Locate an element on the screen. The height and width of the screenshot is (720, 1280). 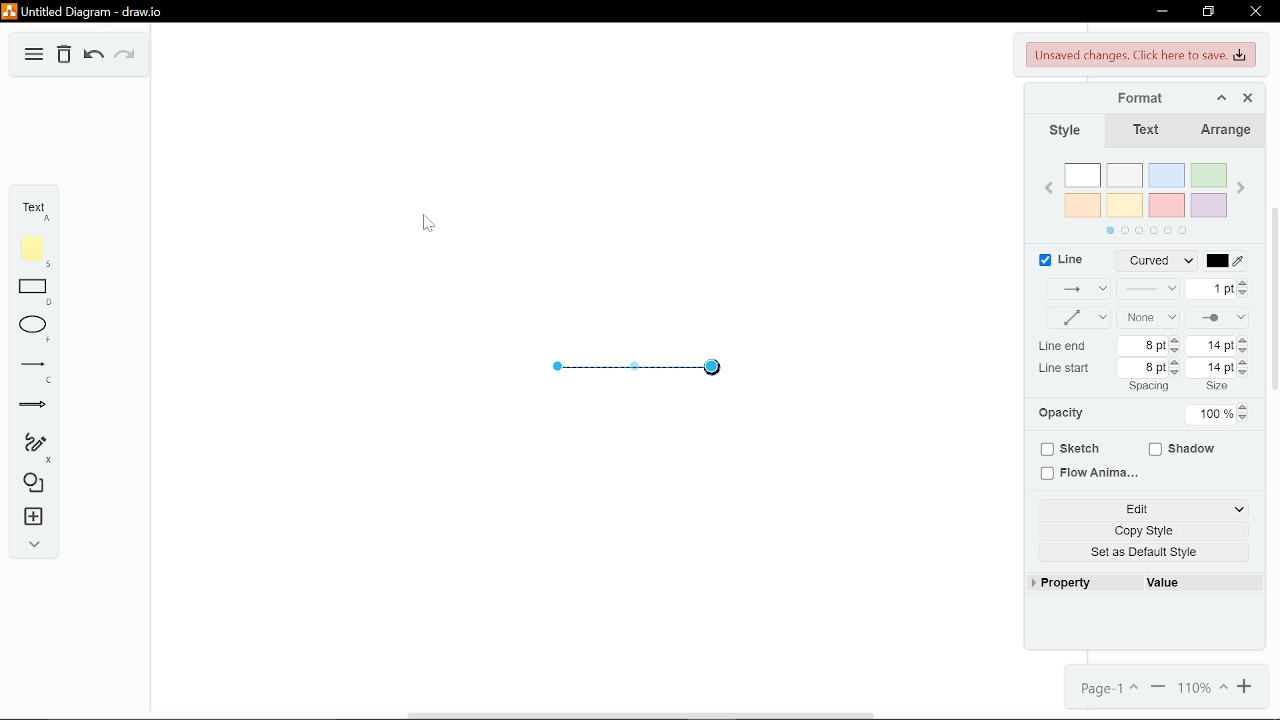
Line is located at coordinates (33, 373).